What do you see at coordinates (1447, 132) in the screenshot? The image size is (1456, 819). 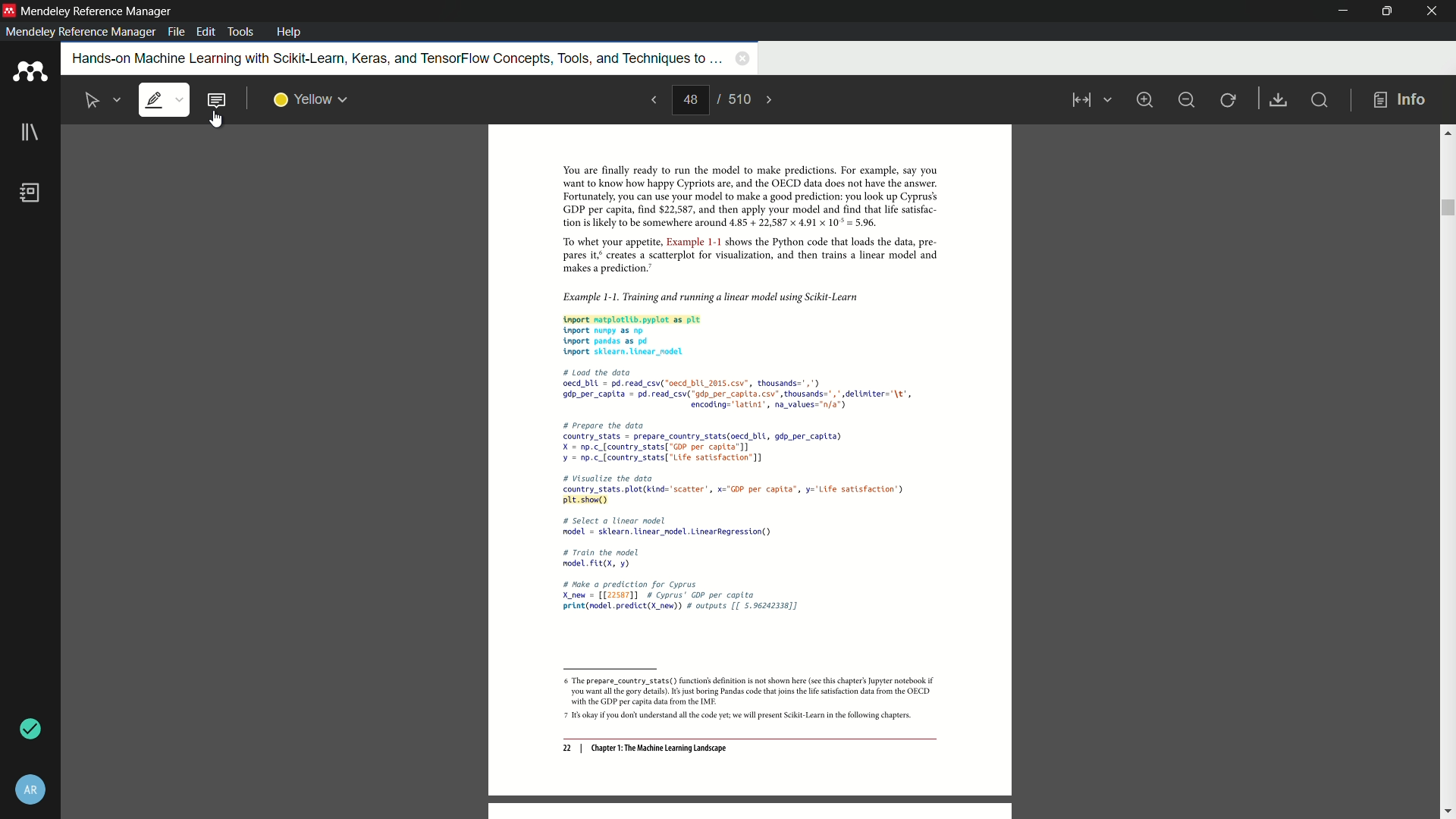 I see `scroll up` at bounding box center [1447, 132].